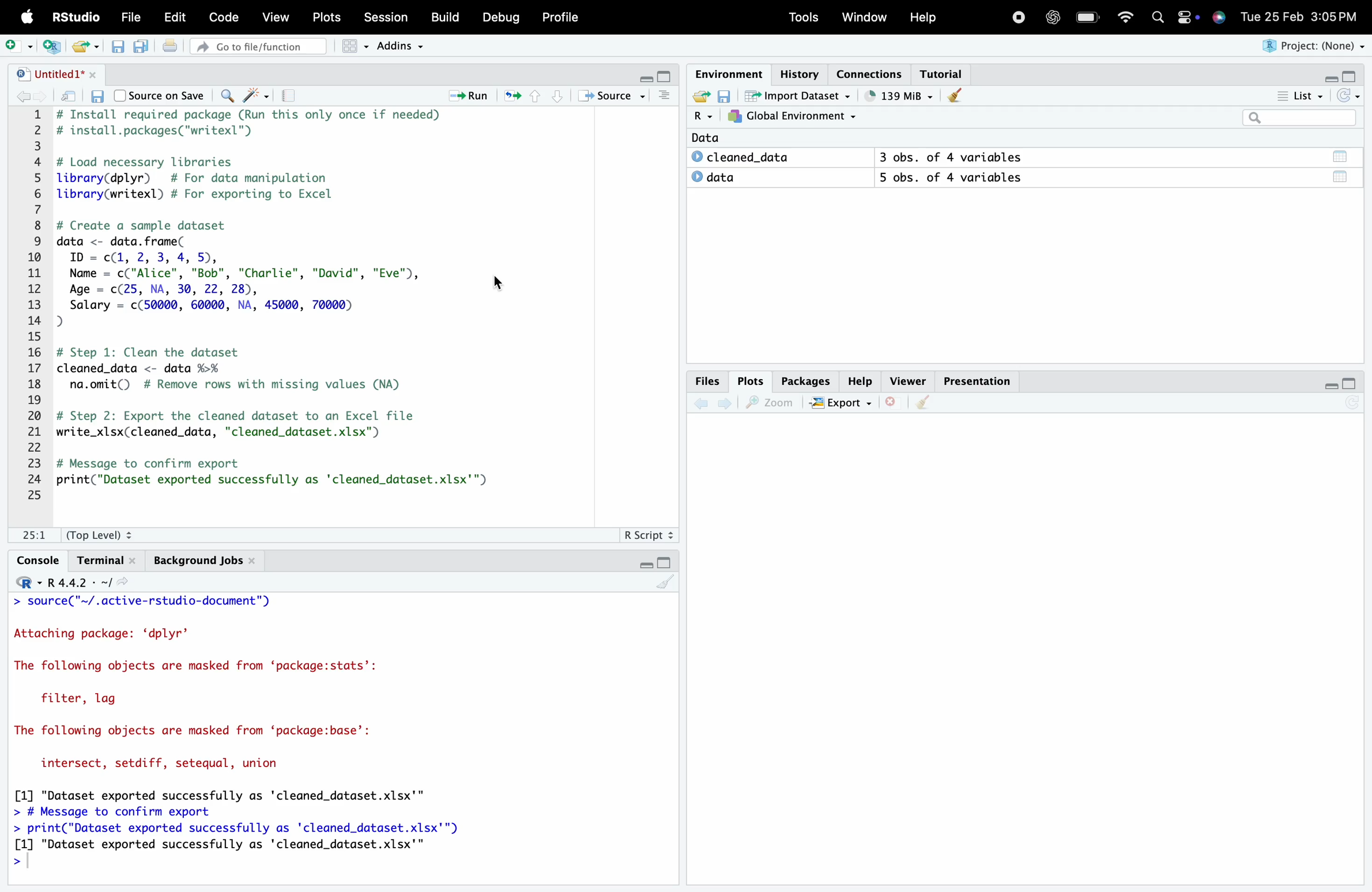  Describe the element at coordinates (499, 18) in the screenshot. I see `Debug` at that location.